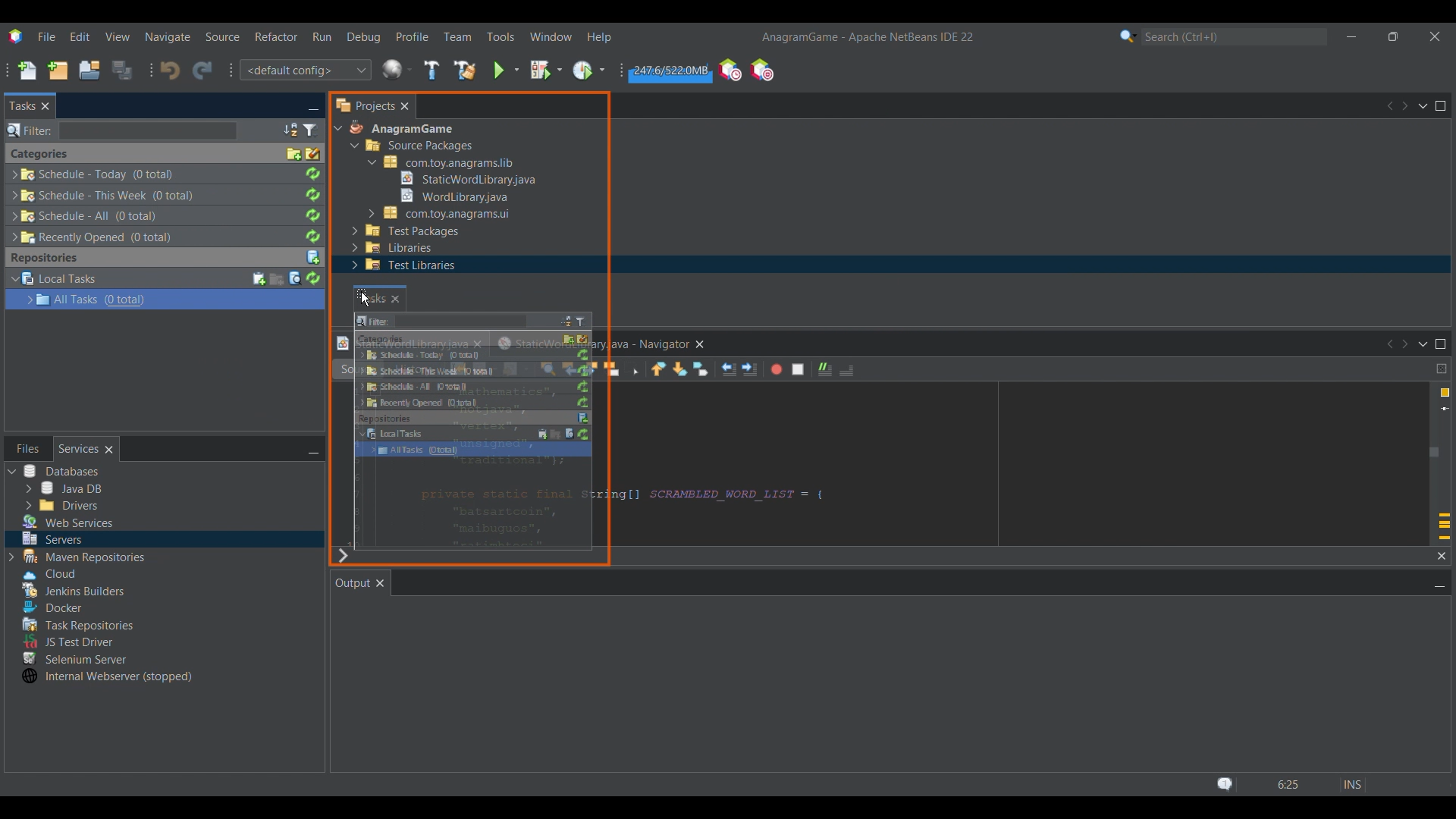 The image size is (1456, 819). Describe the element at coordinates (1425, 345) in the screenshot. I see `Show opened documents list` at that location.